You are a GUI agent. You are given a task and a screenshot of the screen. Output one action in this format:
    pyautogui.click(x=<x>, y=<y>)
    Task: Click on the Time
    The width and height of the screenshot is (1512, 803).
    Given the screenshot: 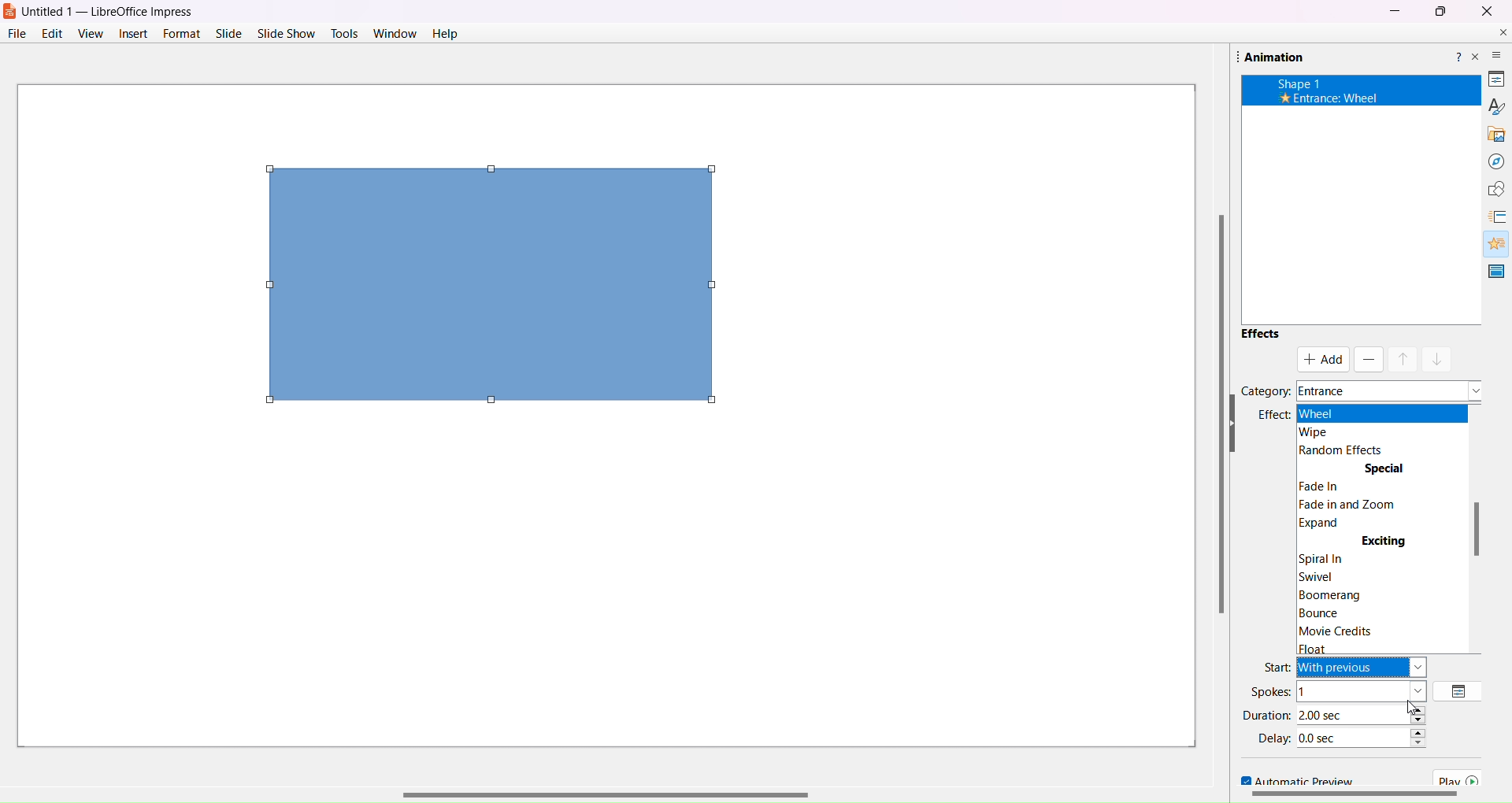 What is the action you would take?
    pyautogui.click(x=1351, y=736)
    